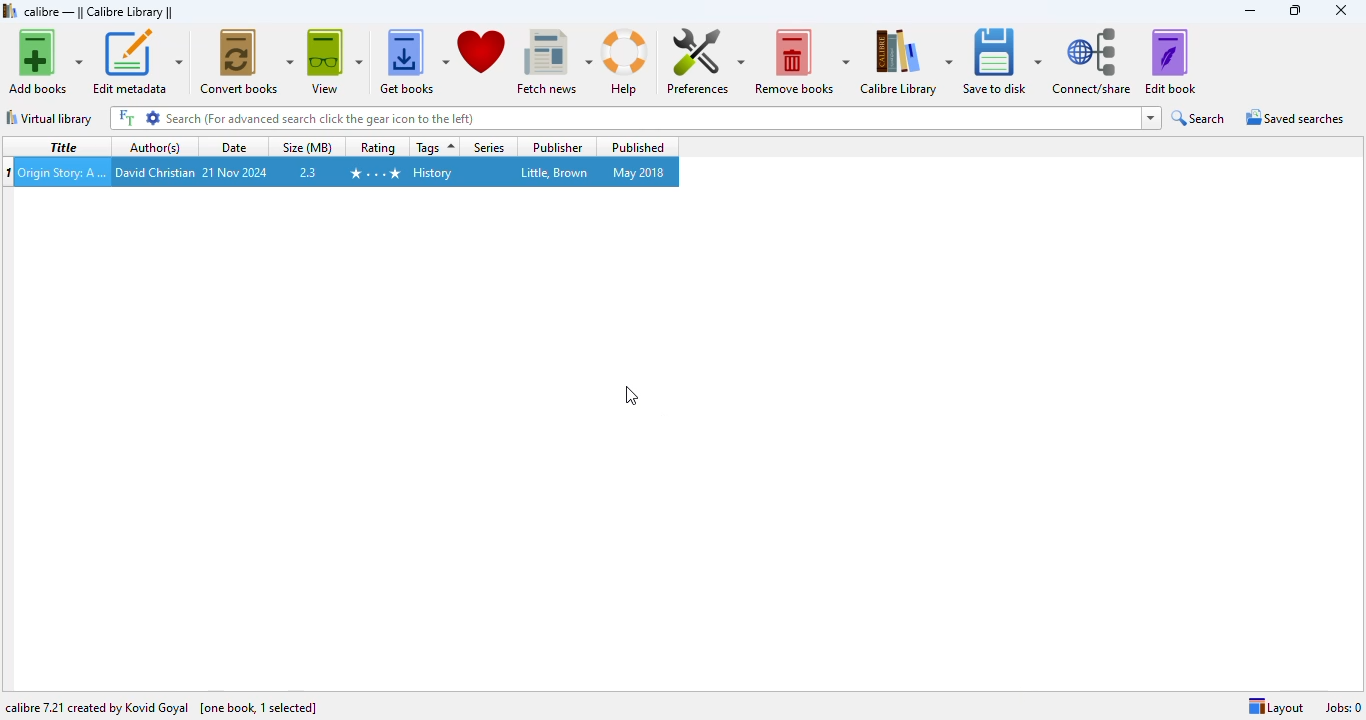 The image size is (1366, 720). What do you see at coordinates (8, 174) in the screenshot?
I see `munber` at bounding box center [8, 174].